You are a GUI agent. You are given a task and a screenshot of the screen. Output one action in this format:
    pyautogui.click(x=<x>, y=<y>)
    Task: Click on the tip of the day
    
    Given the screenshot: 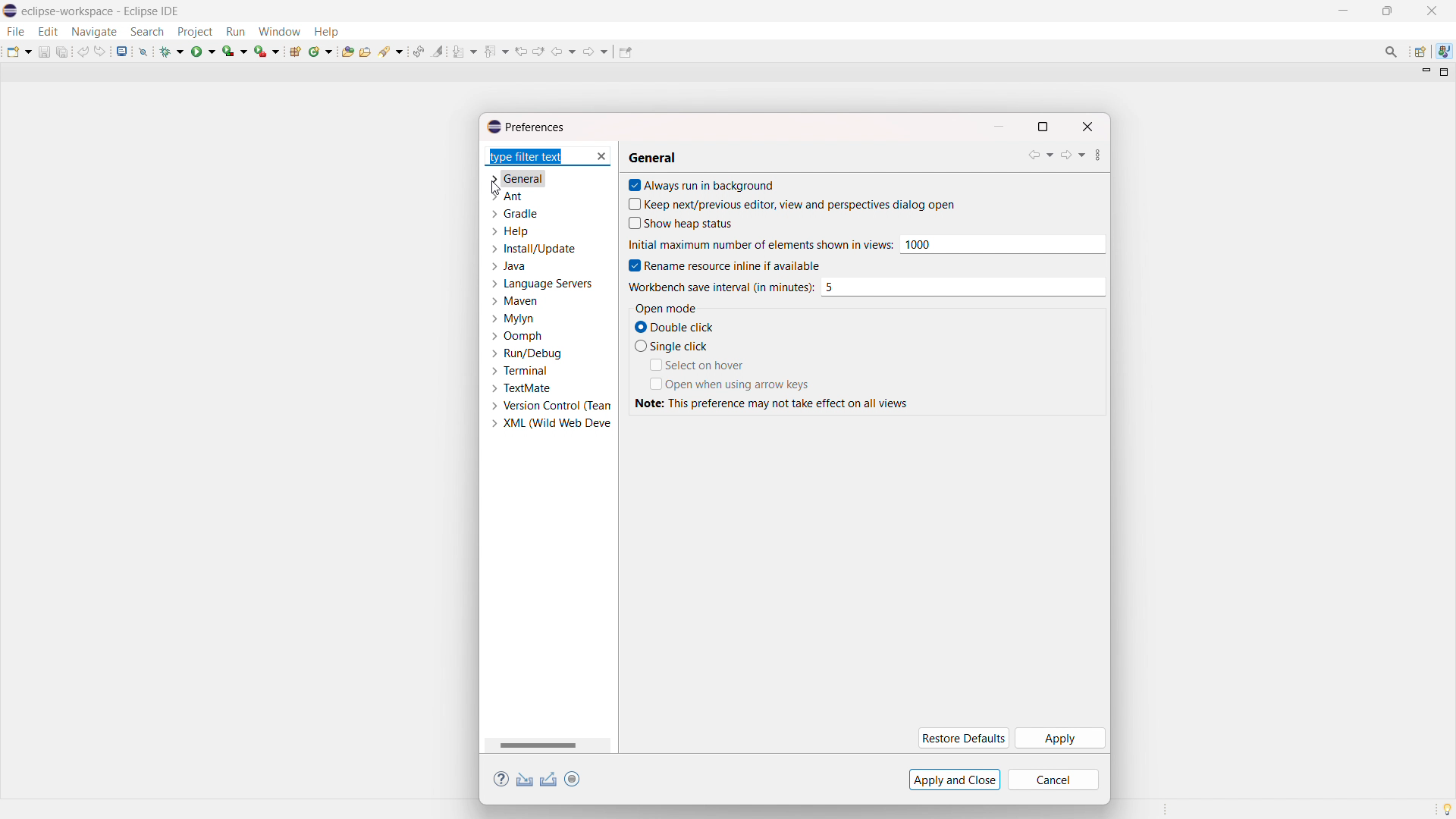 What is the action you would take?
    pyautogui.click(x=1447, y=808)
    